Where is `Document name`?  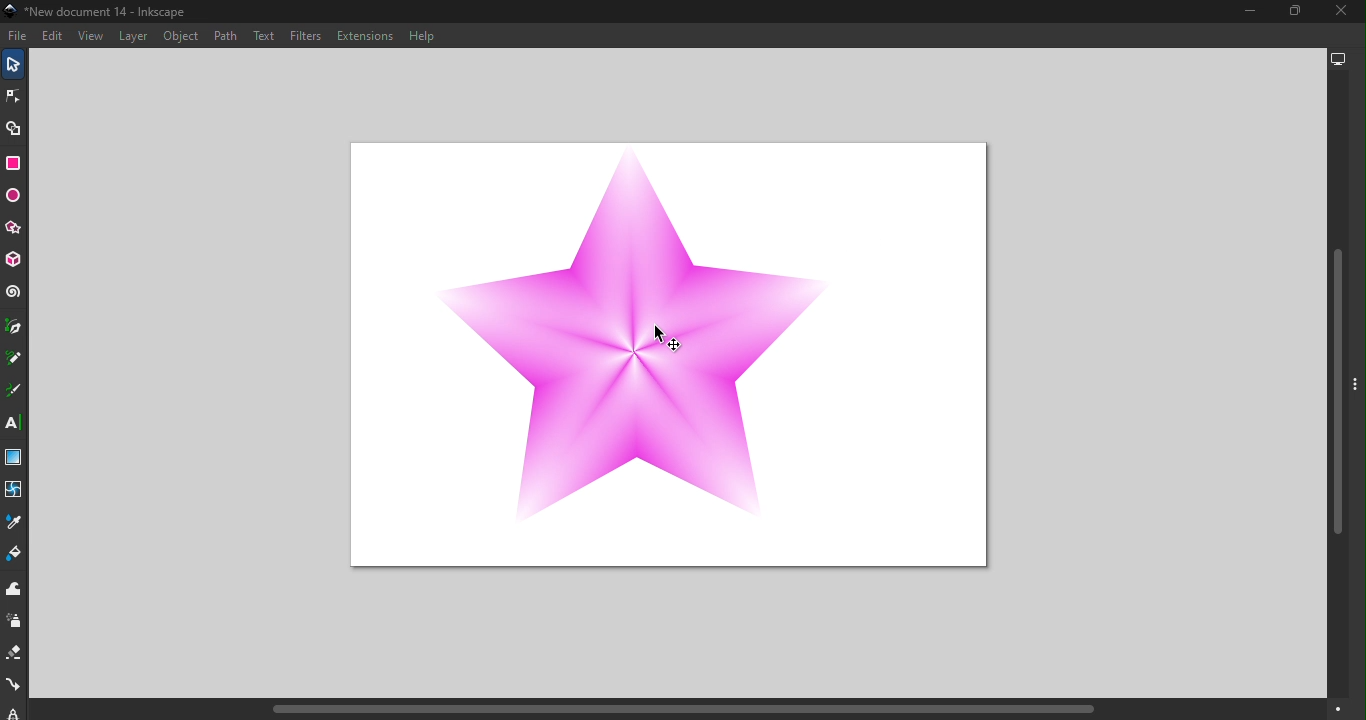 Document name is located at coordinates (101, 11).